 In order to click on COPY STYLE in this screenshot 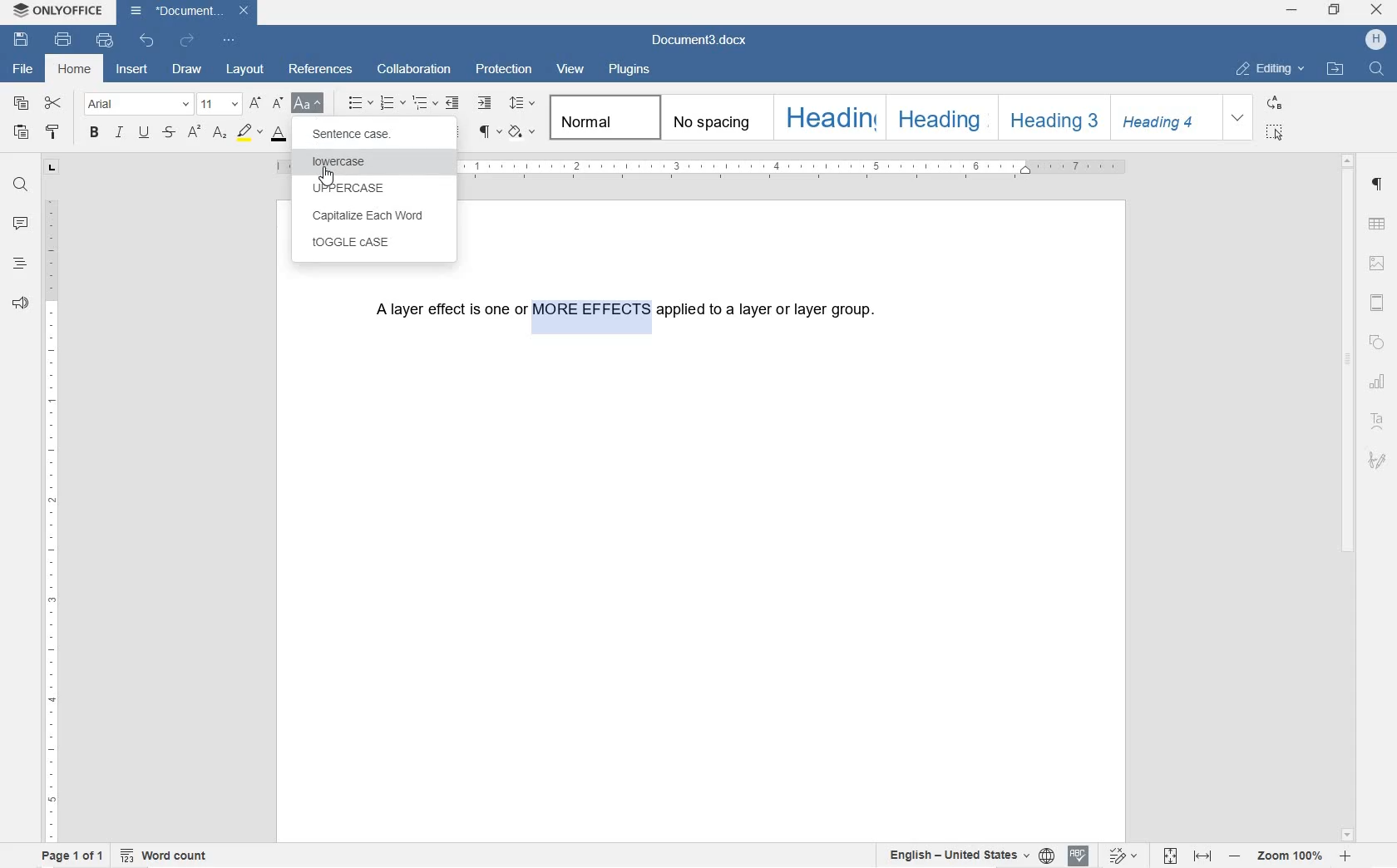, I will do `click(54, 133)`.